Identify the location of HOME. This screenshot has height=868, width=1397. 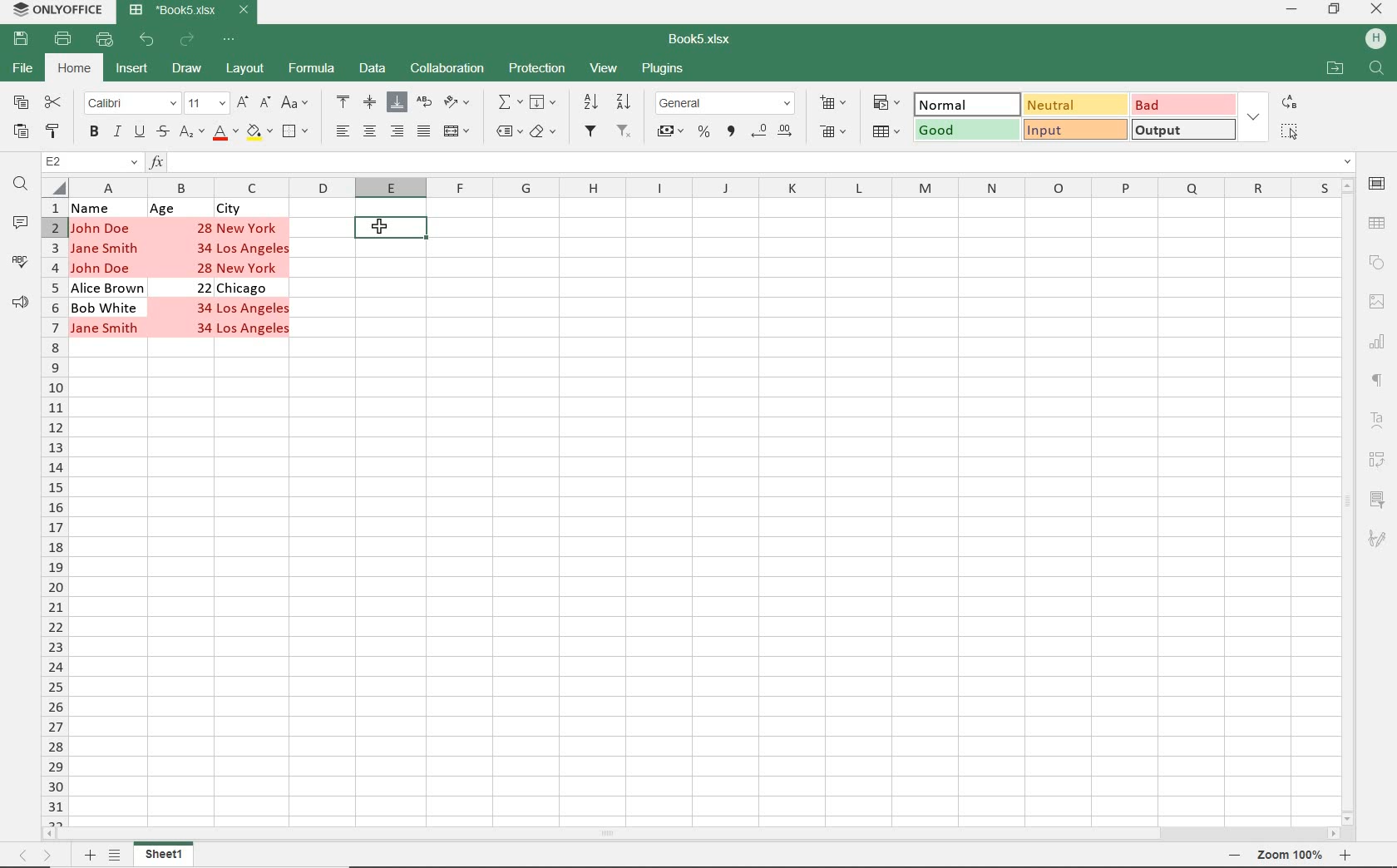
(73, 69).